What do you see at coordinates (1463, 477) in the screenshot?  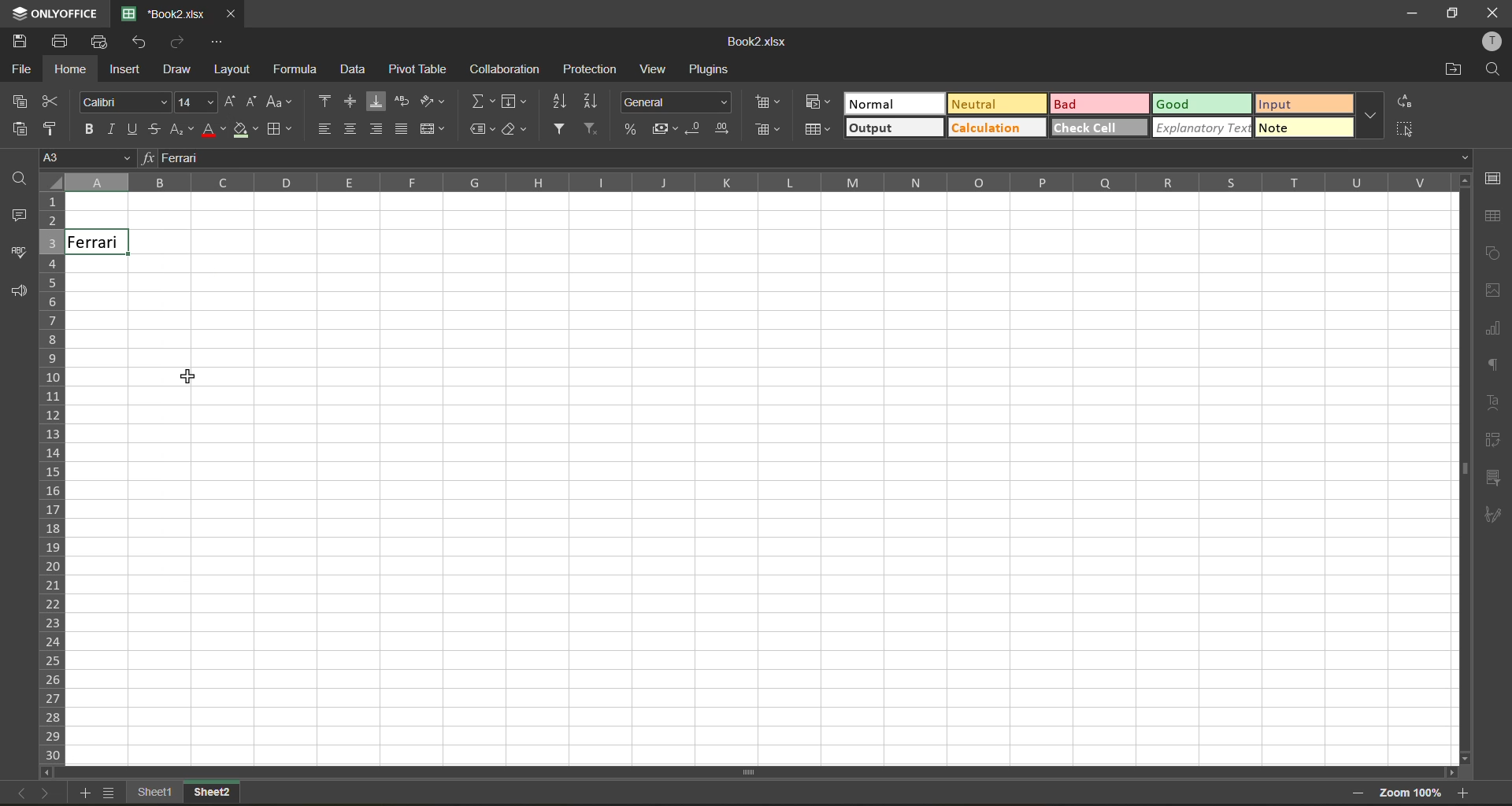 I see `Horizontal ScrollBar` at bounding box center [1463, 477].